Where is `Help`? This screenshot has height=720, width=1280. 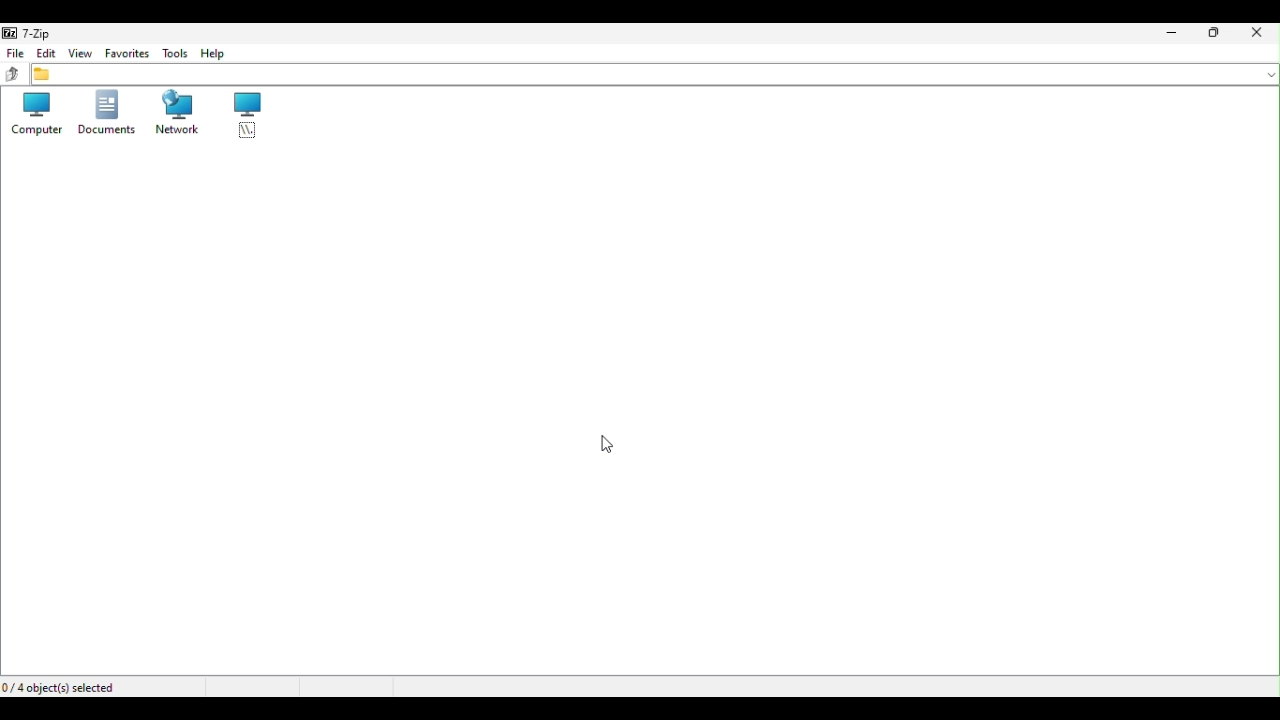
Help is located at coordinates (215, 55).